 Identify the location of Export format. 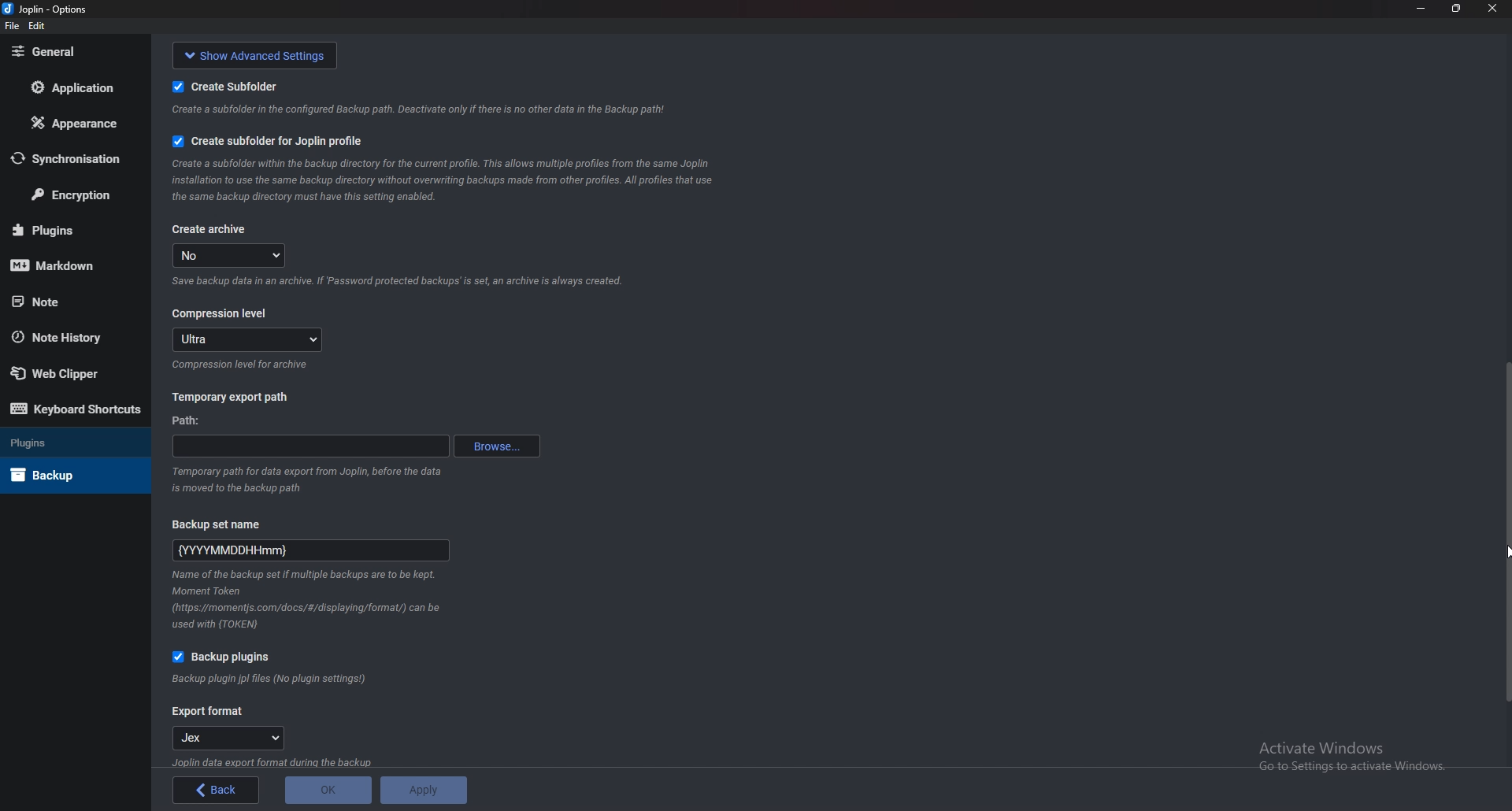
(213, 711).